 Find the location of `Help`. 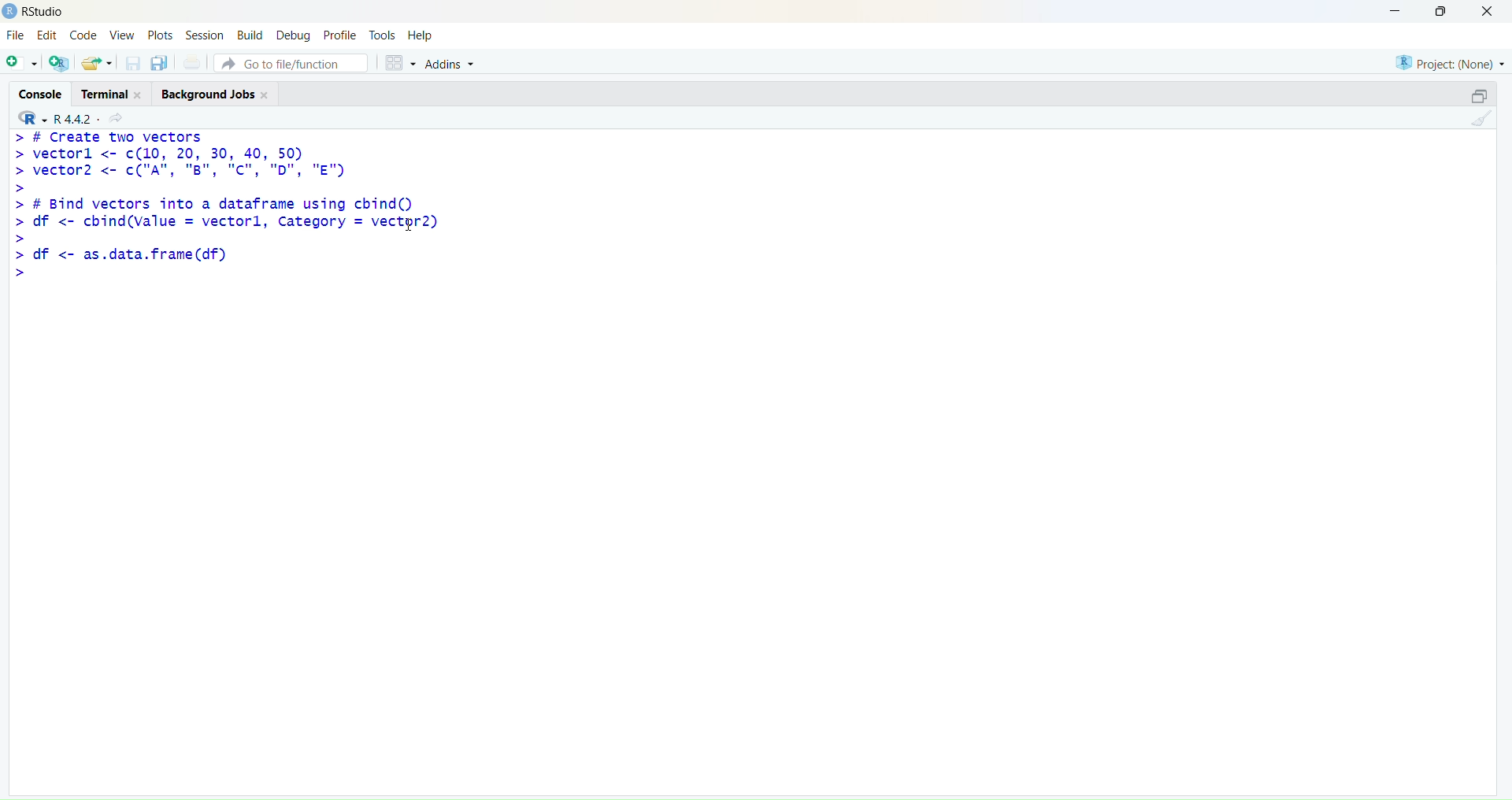

Help is located at coordinates (421, 35).